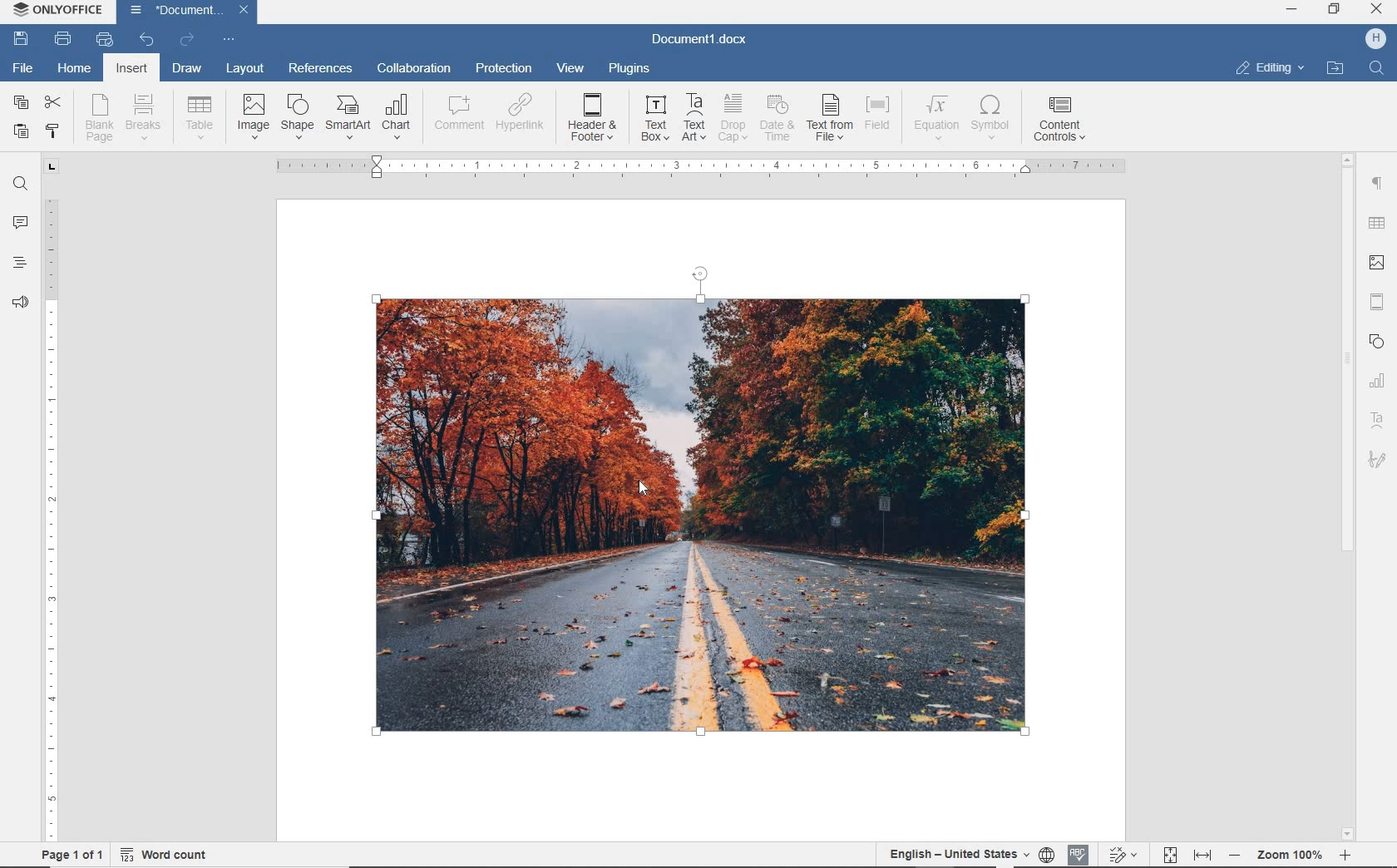 Image resolution: width=1397 pixels, height=868 pixels. What do you see at coordinates (1379, 262) in the screenshot?
I see `image` at bounding box center [1379, 262].